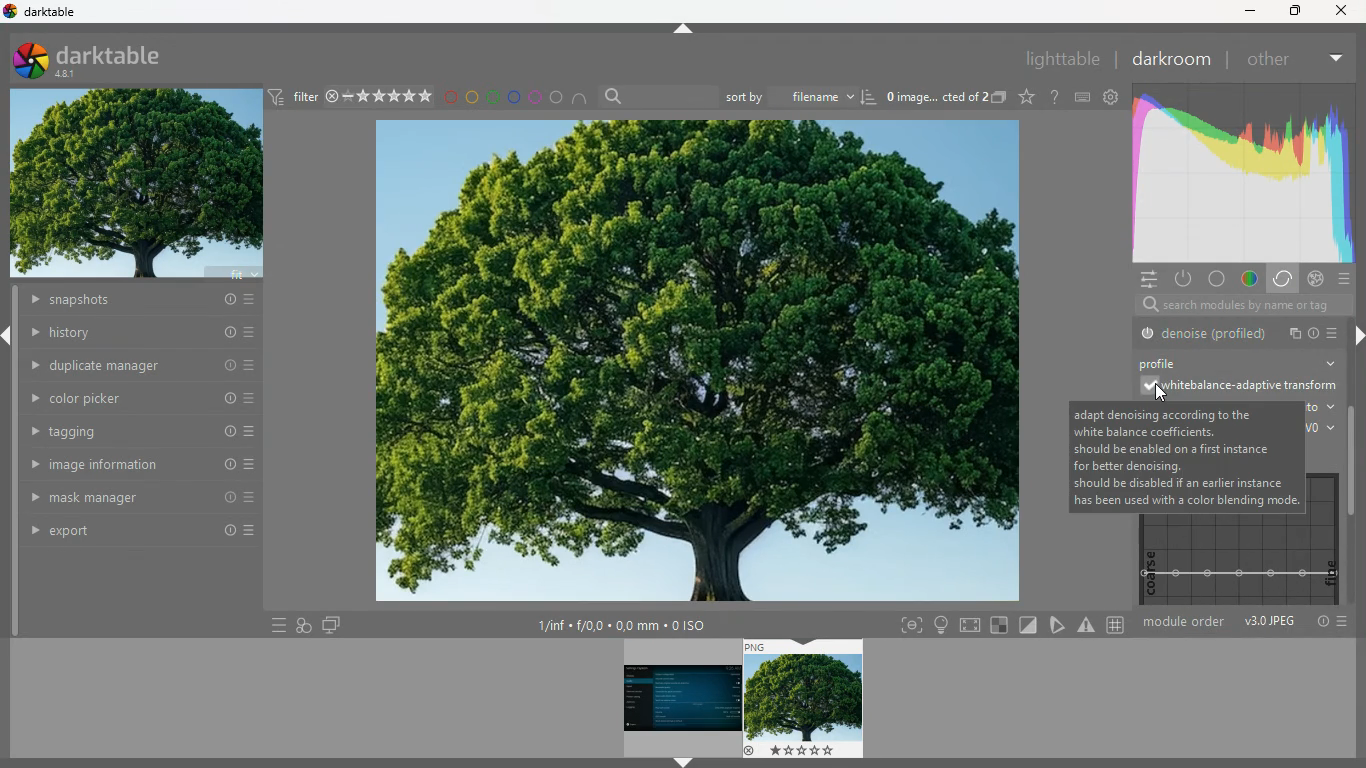  What do you see at coordinates (1269, 622) in the screenshot?
I see `image format` at bounding box center [1269, 622].